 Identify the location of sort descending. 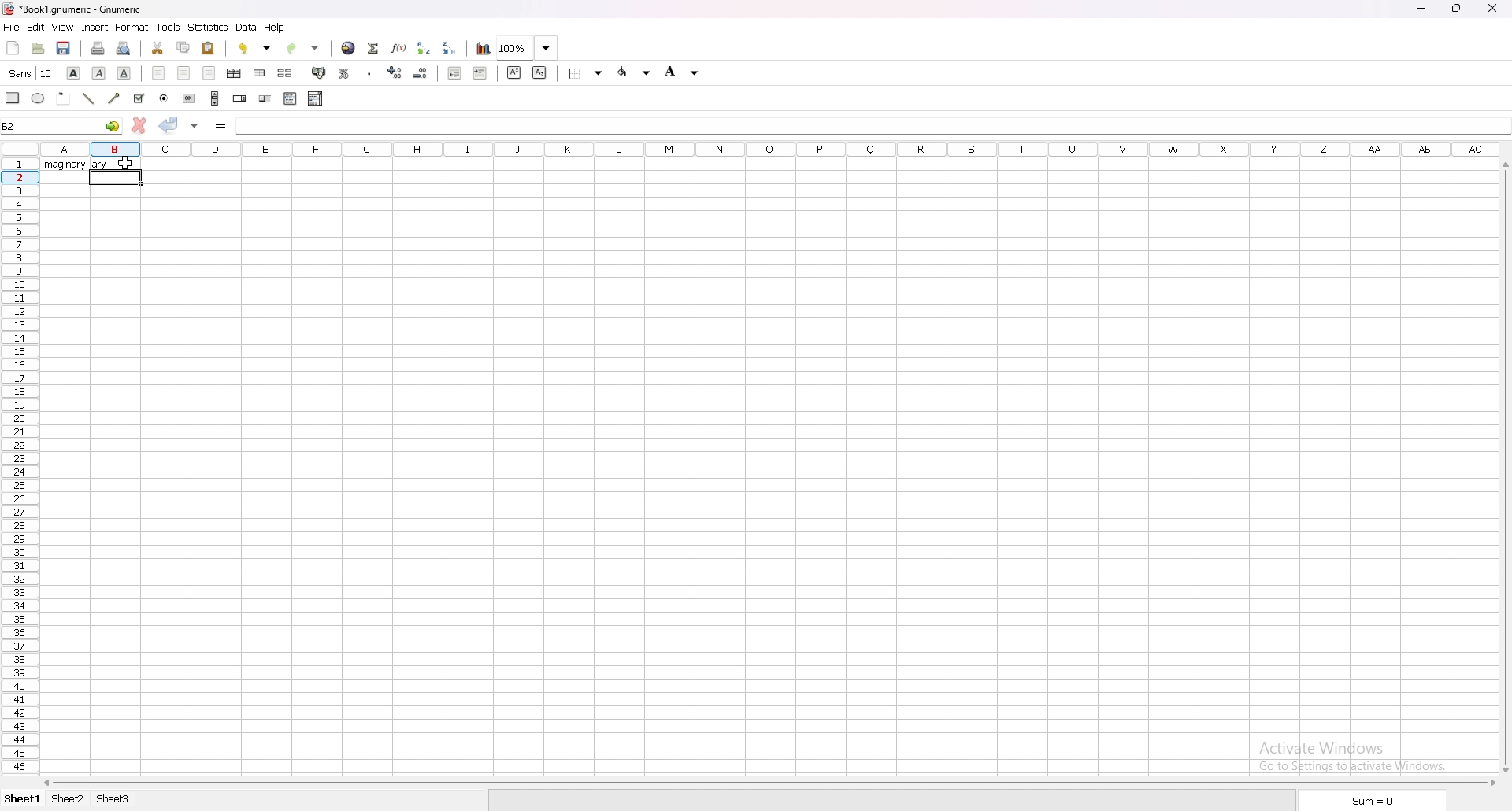
(448, 47).